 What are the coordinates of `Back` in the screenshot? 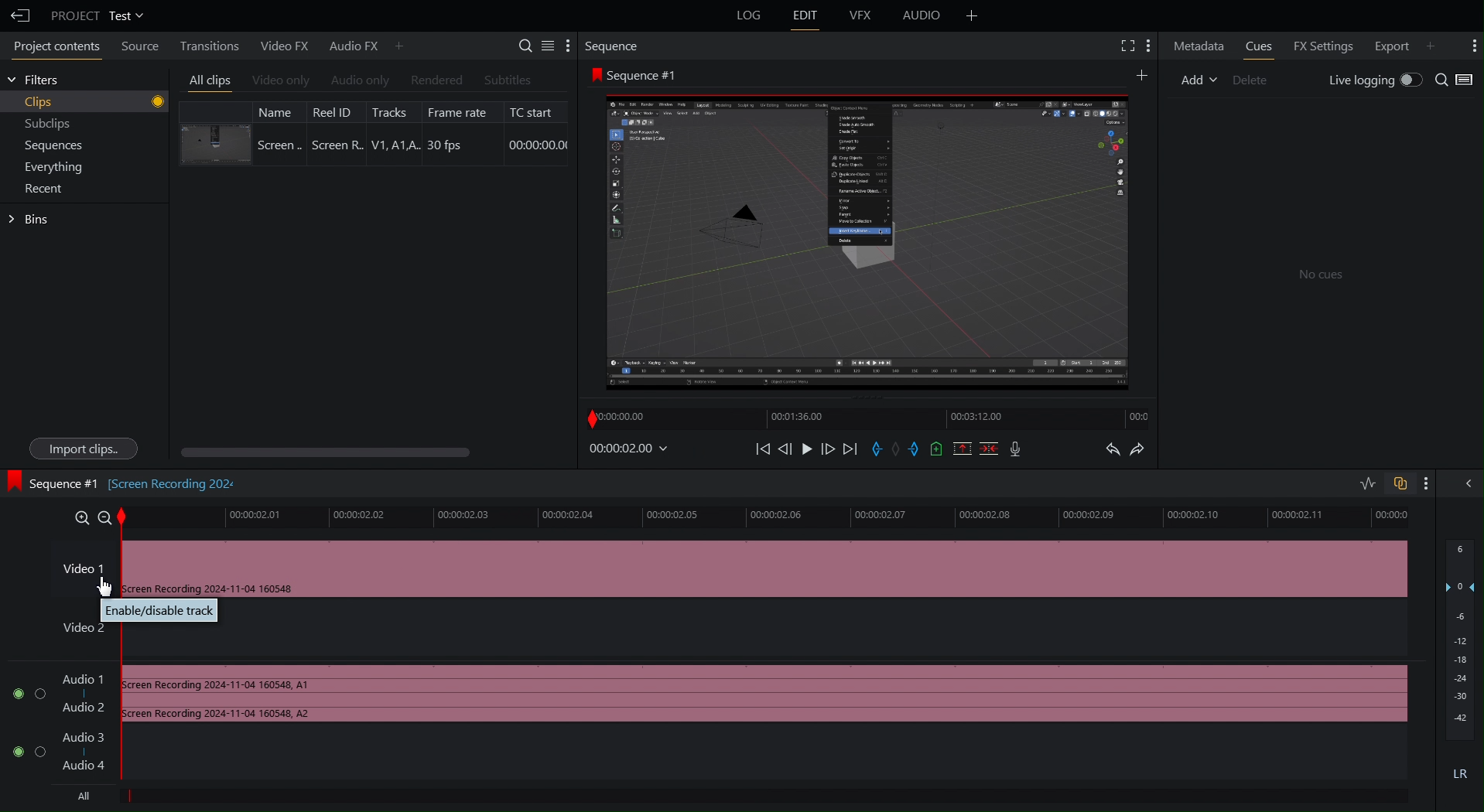 It's located at (19, 13).